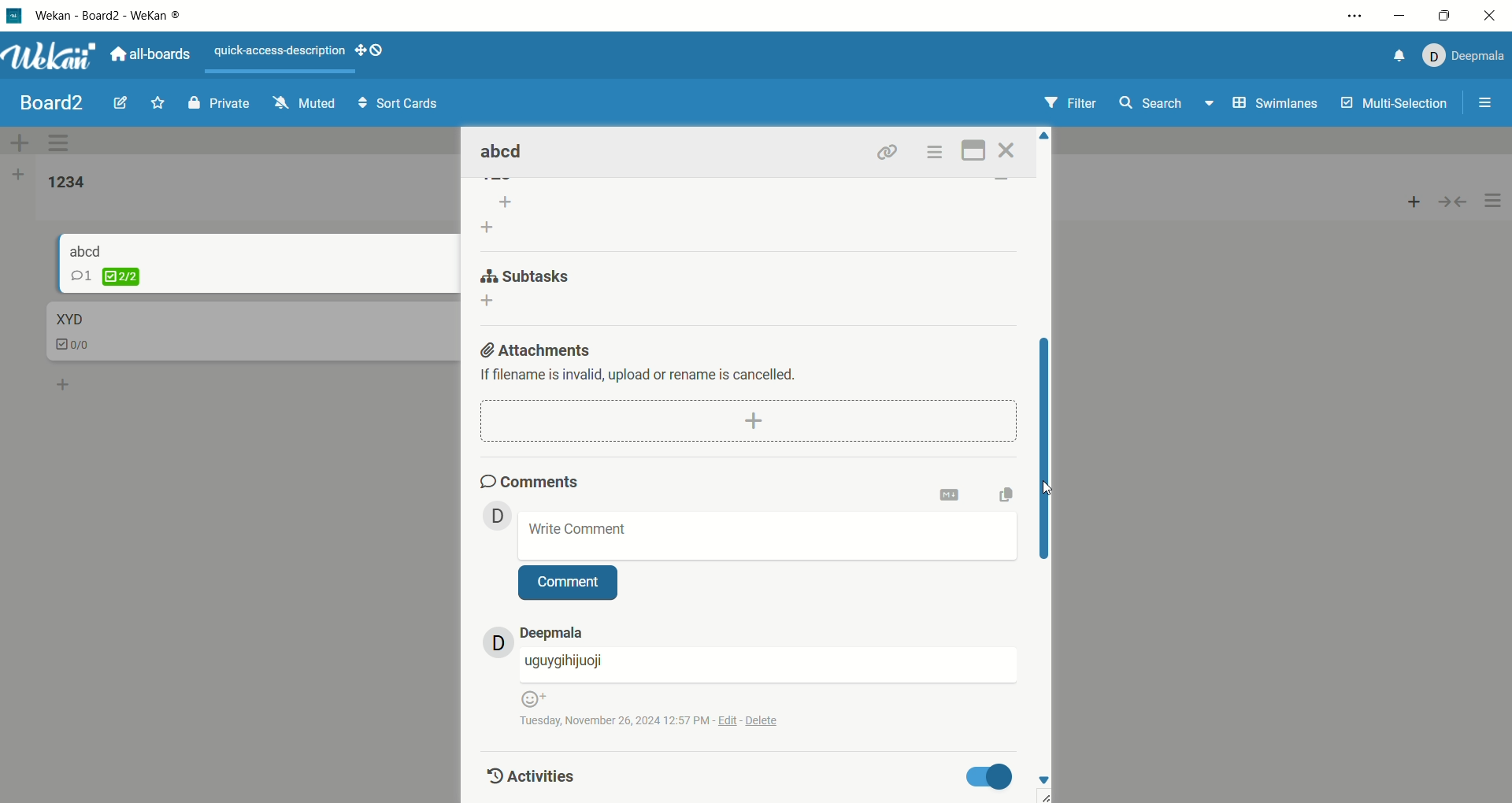 The image size is (1512, 803). What do you see at coordinates (1395, 58) in the screenshot?
I see `notification` at bounding box center [1395, 58].